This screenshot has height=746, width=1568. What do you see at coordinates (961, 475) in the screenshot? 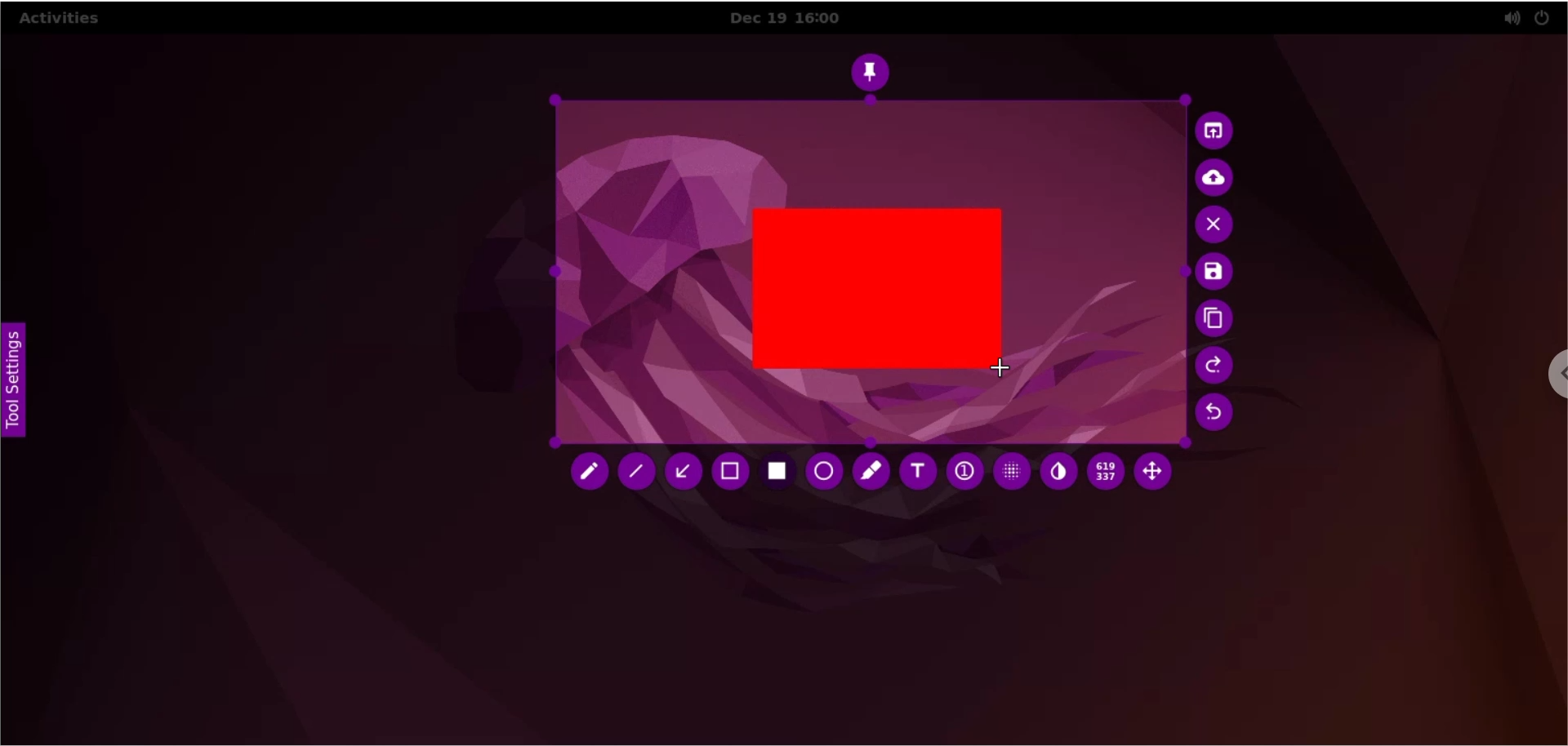
I see `auto increment ` at bounding box center [961, 475].